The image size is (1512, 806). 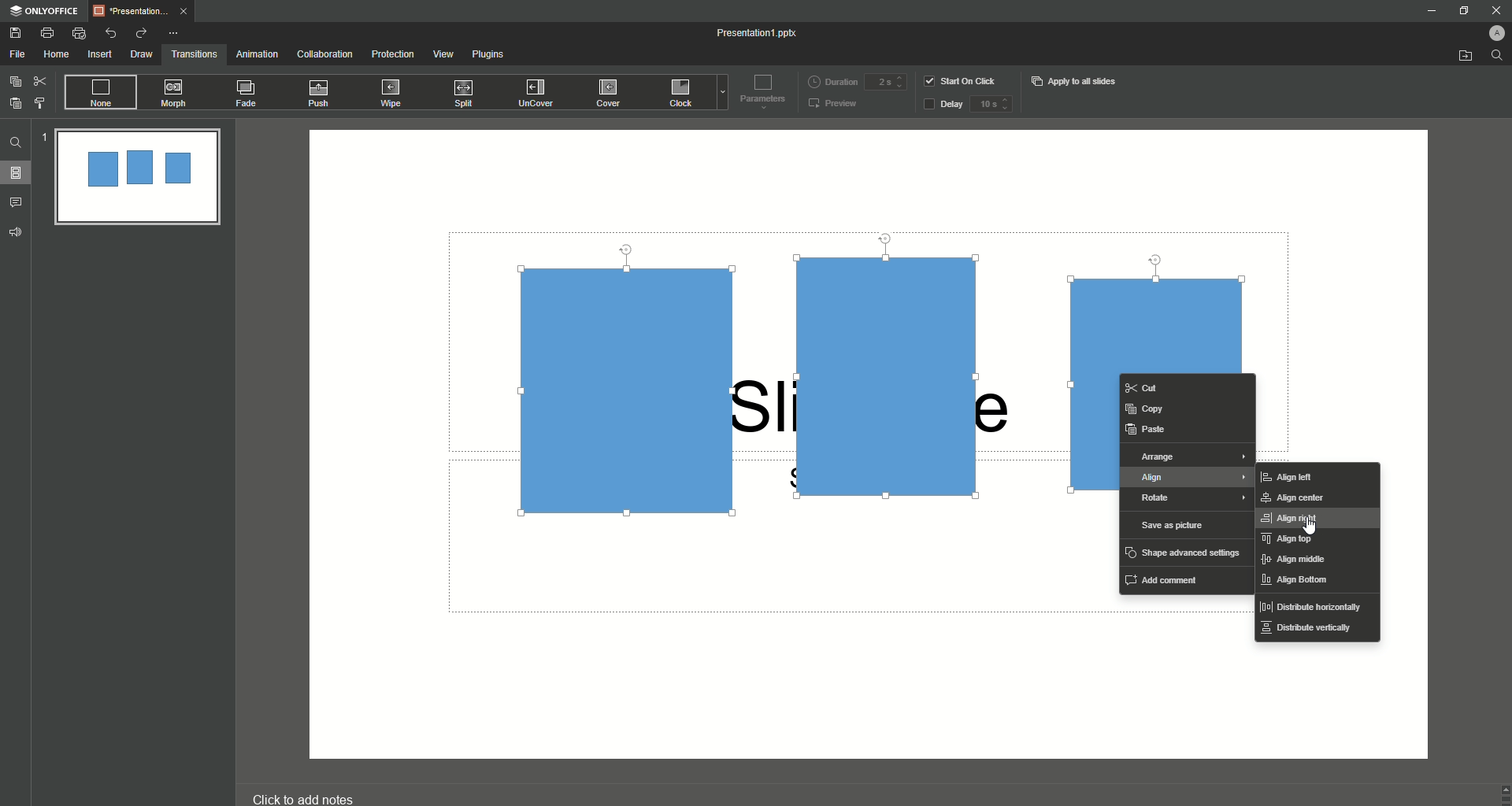 I want to click on click to add notes, so click(x=318, y=791).